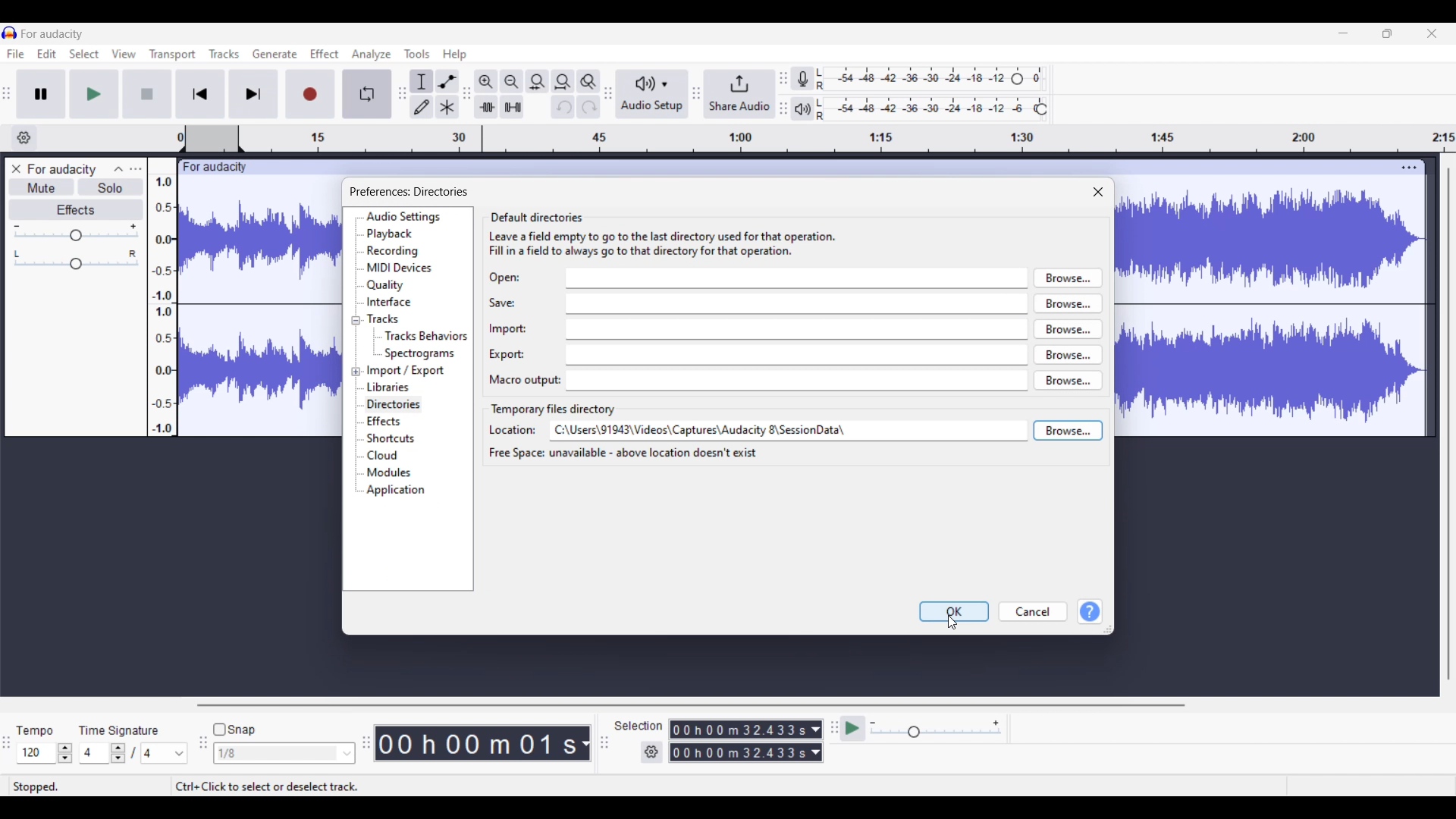  I want to click on Shortcuts, so click(391, 438).